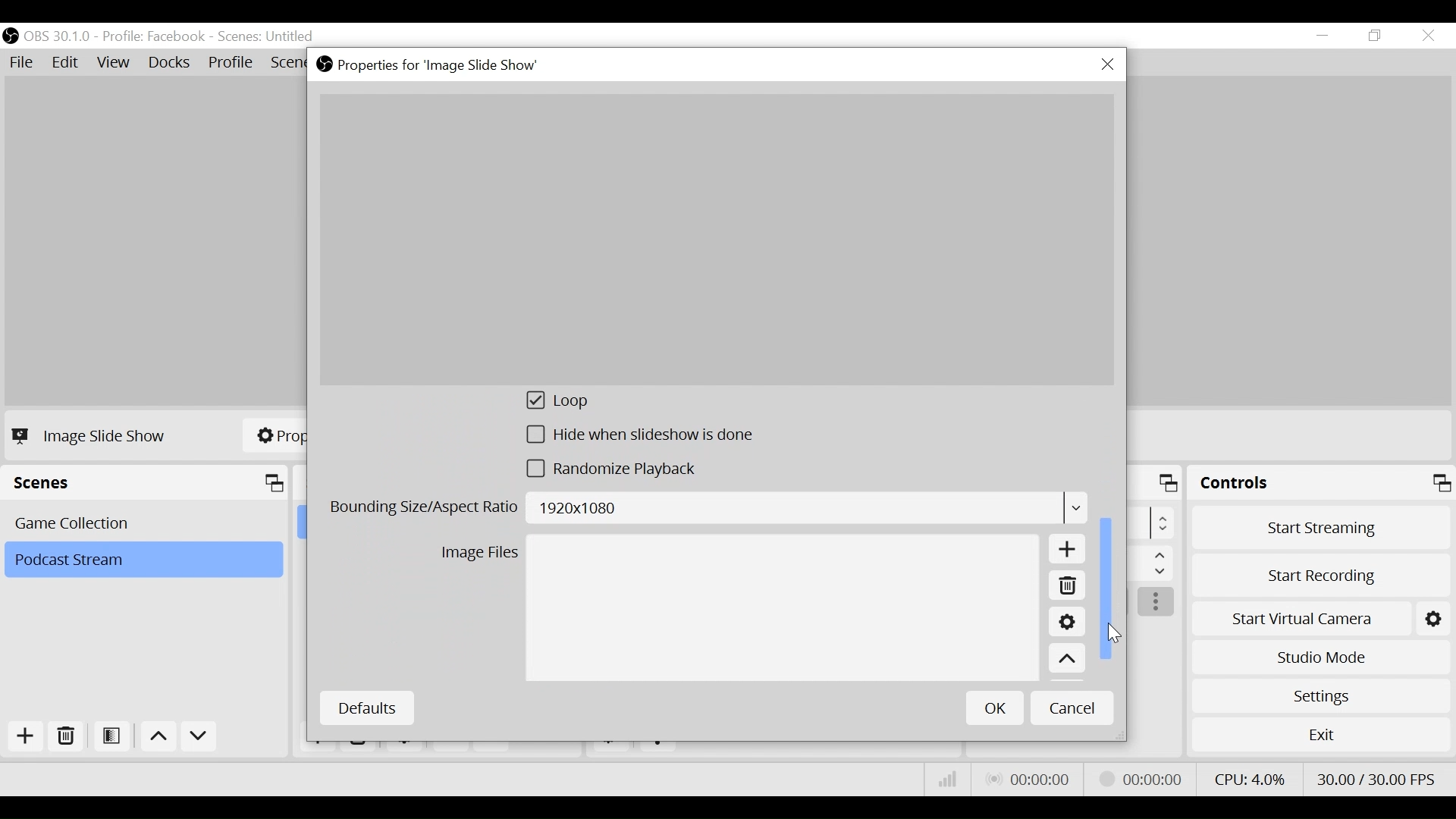 The image size is (1456, 819). I want to click on Add, so click(24, 736).